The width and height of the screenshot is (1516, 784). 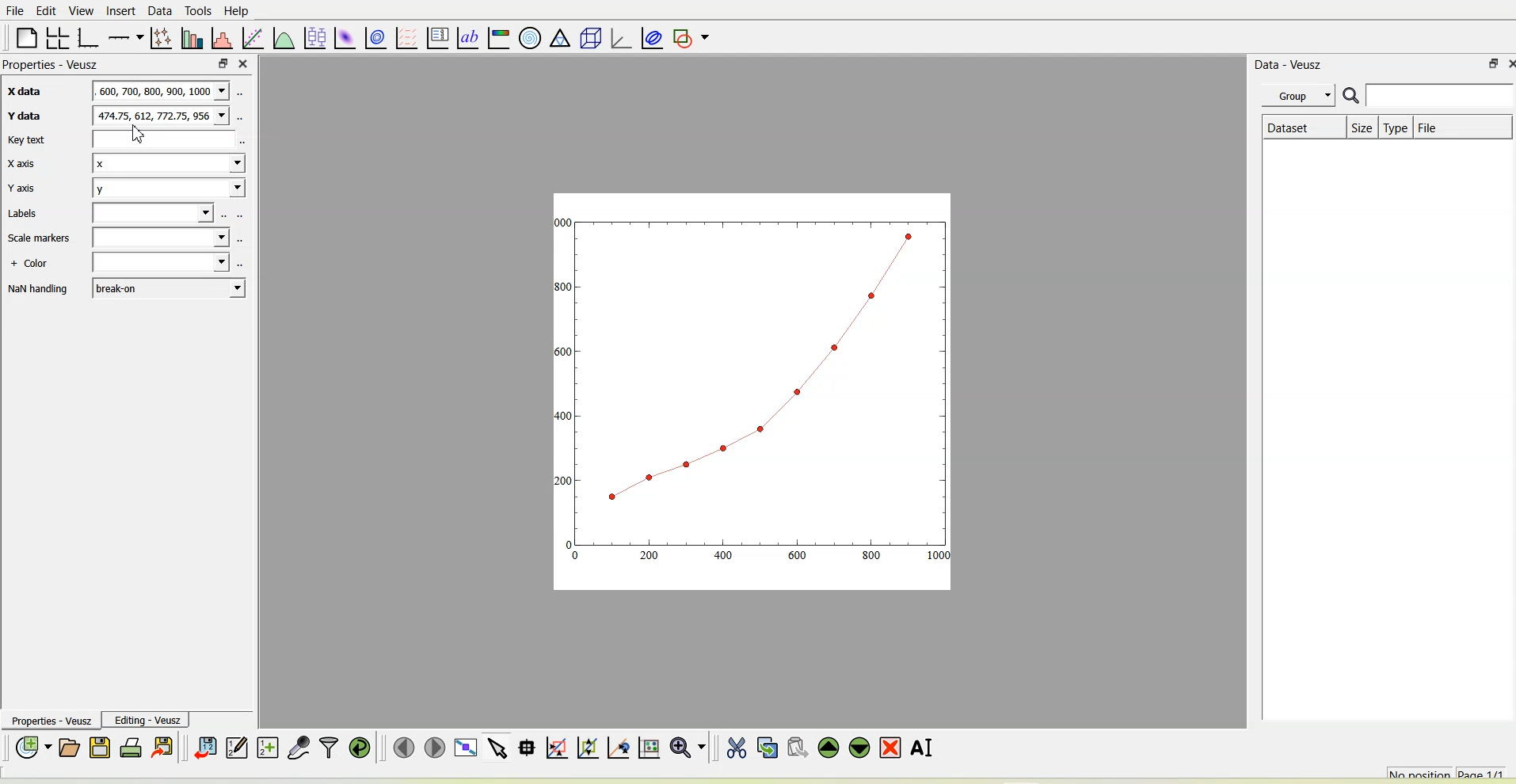 I want to click on X axis, so click(x=24, y=163).